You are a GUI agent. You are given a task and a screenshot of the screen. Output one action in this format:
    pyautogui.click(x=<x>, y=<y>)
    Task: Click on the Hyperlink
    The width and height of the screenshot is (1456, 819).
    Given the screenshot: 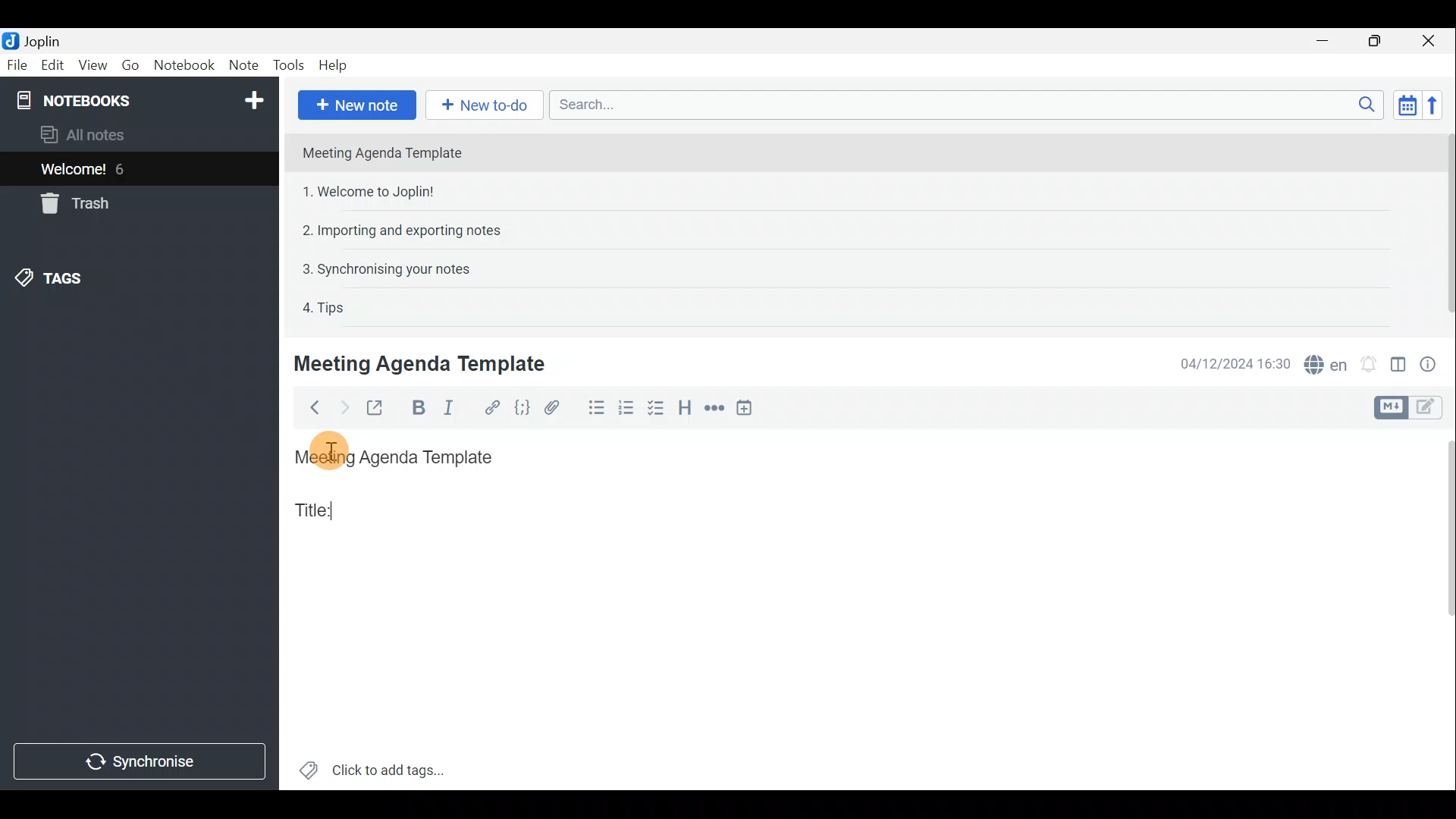 What is the action you would take?
    pyautogui.click(x=494, y=407)
    